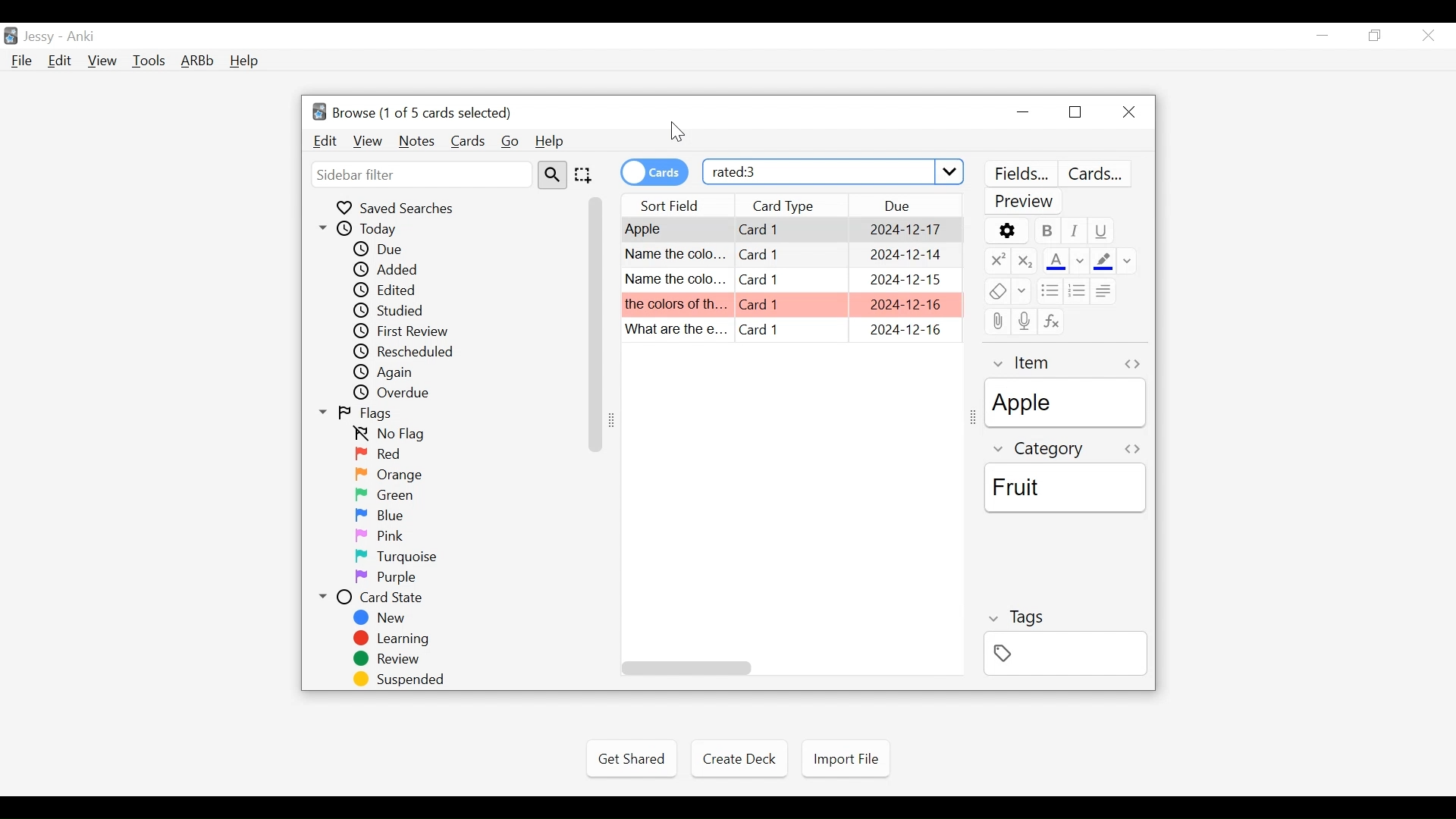  What do you see at coordinates (388, 475) in the screenshot?
I see `Orange` at bounding box center [388, 475].